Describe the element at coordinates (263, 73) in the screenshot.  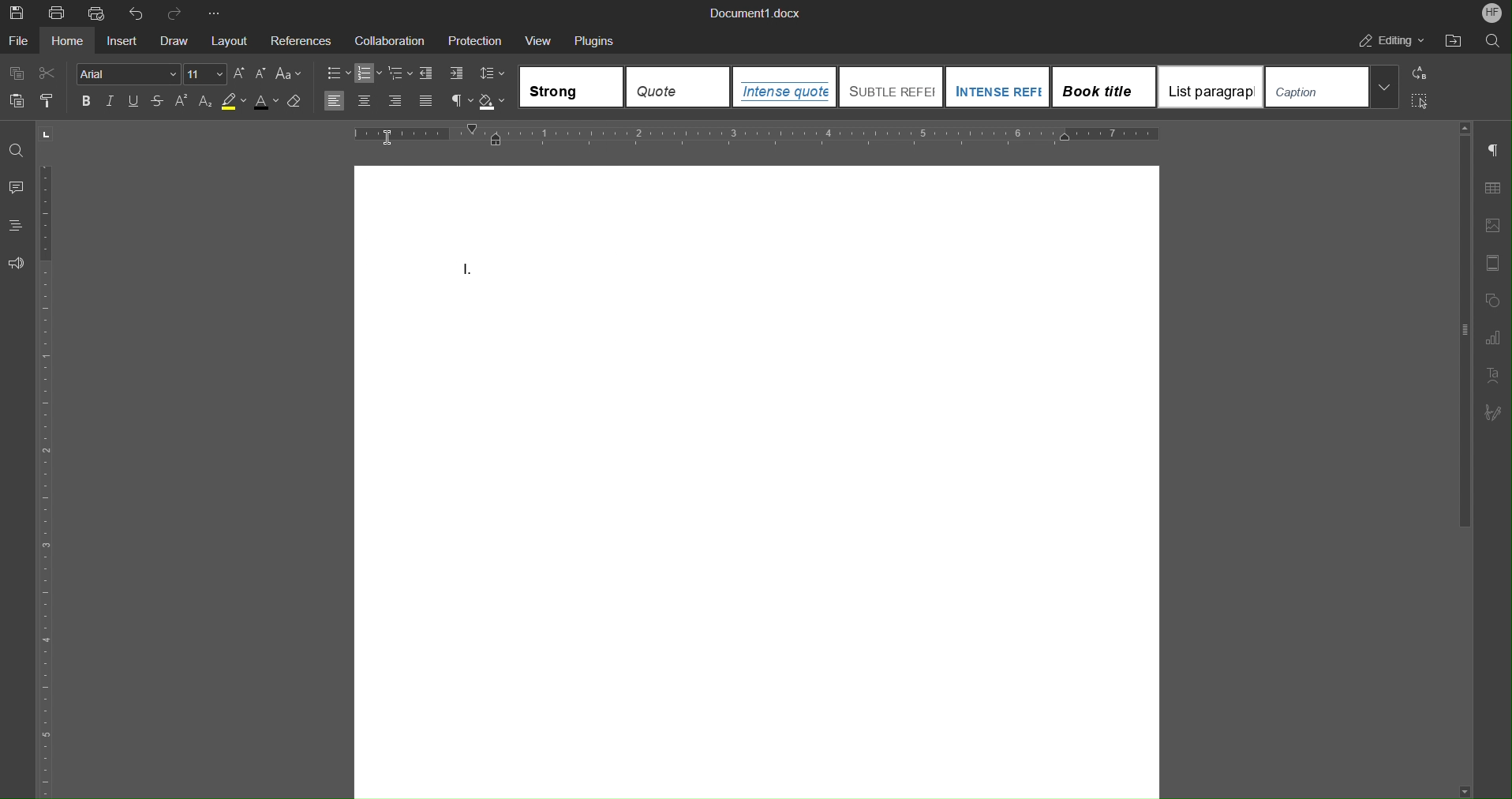
I see `Decrease Font Size` at that location.